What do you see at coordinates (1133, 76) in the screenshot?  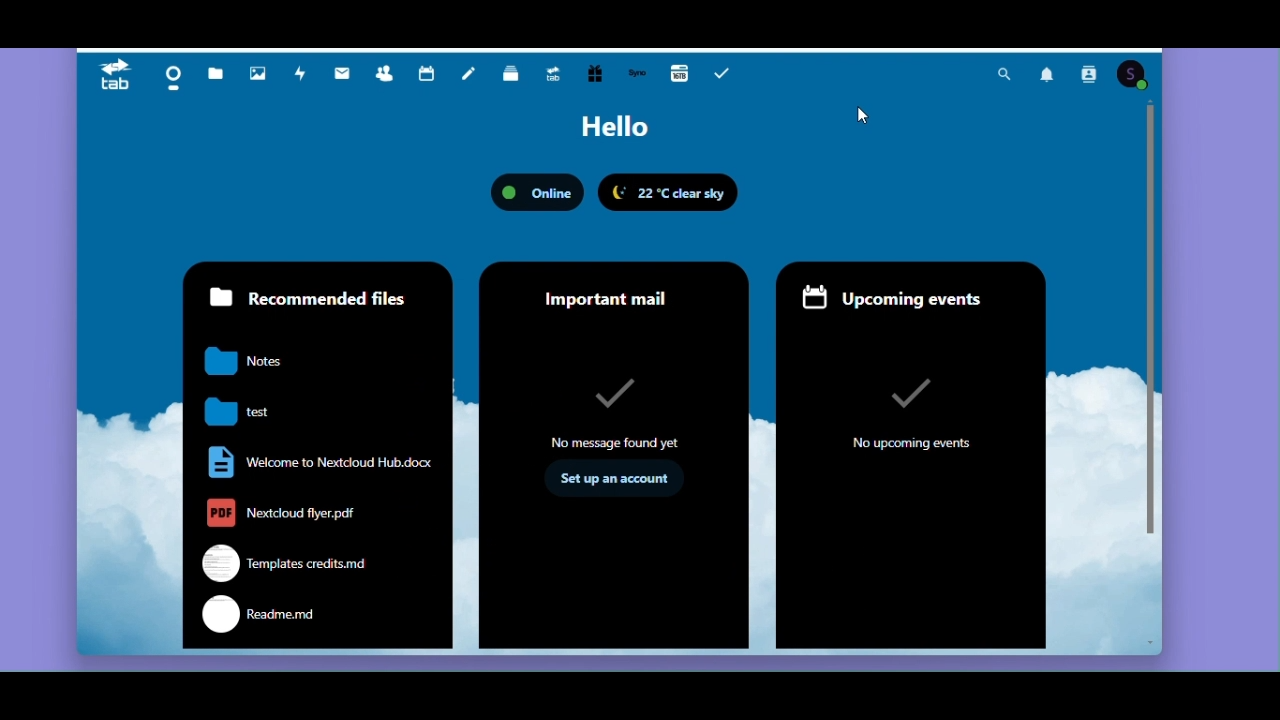 I see `Account icon` at bounding box center [1133, 76].